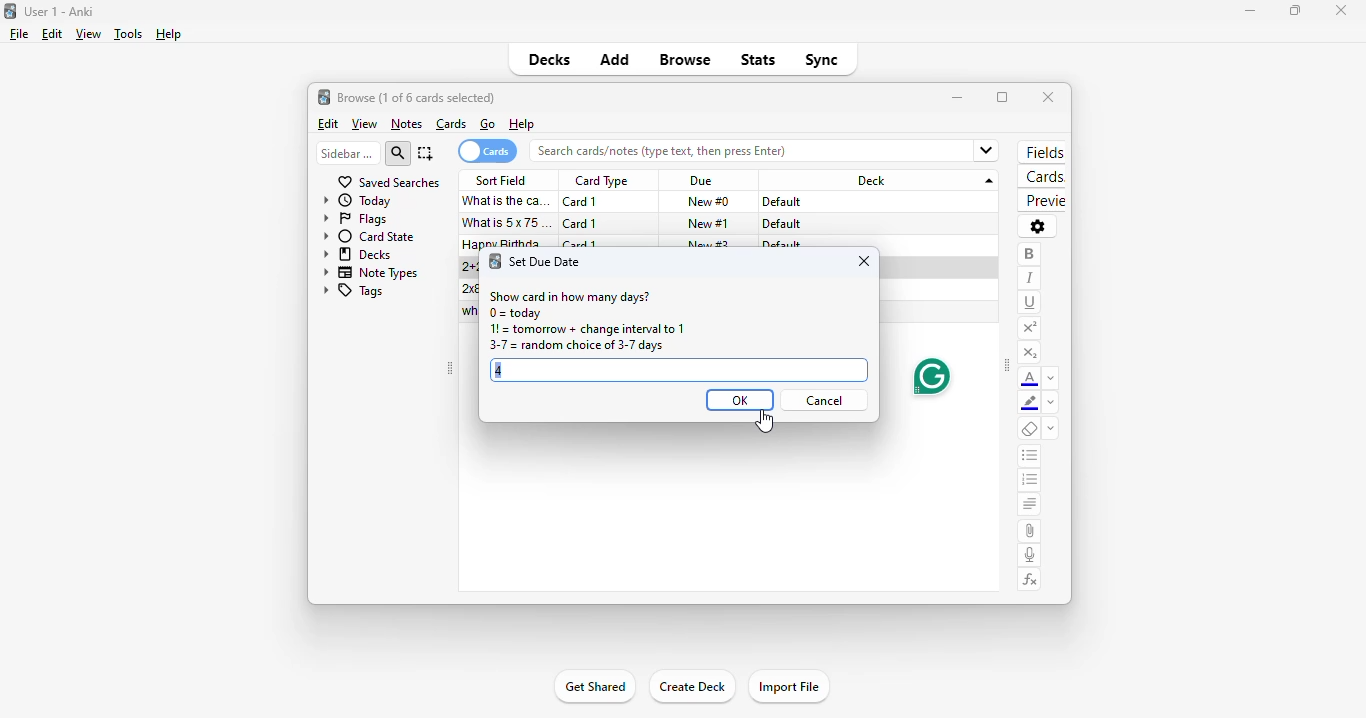 The width and height of the screenshot is (1366, 718). I want to click on tools, so click(127, 35).